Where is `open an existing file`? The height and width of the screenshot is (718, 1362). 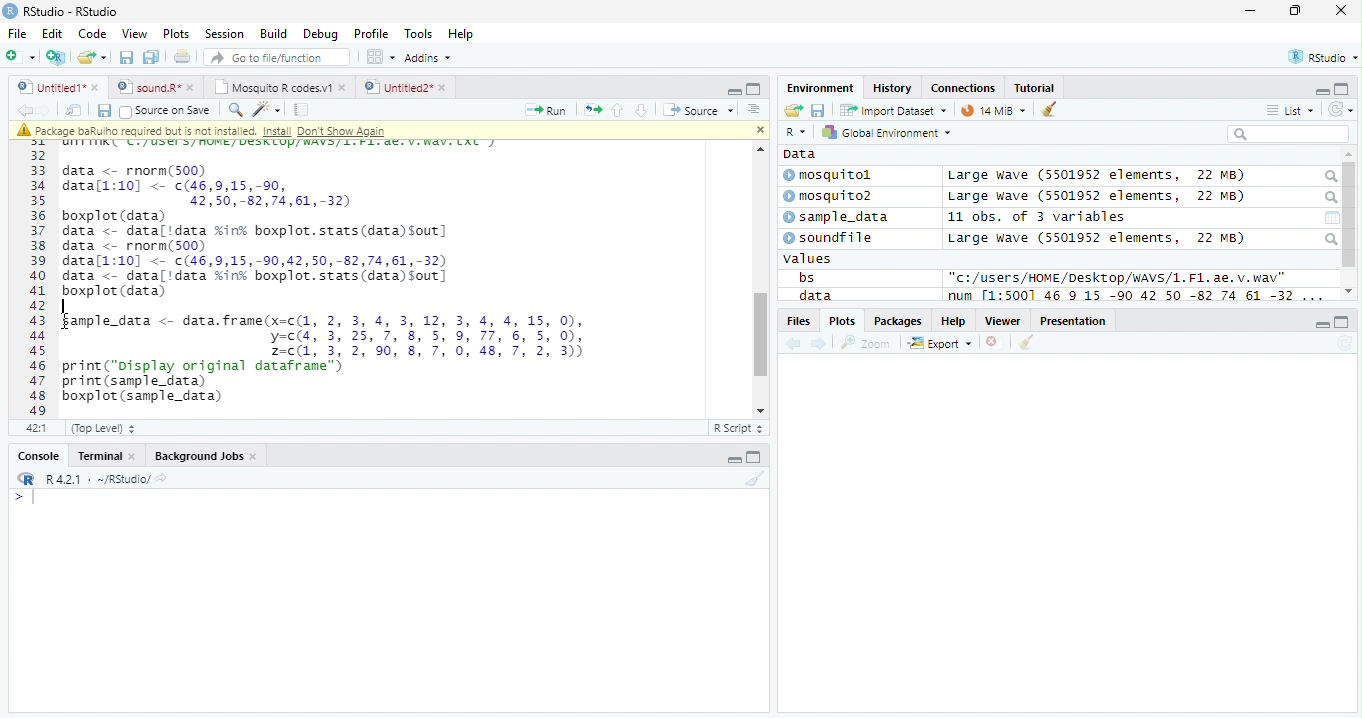 open an existing file is located at coordinates (92, 57).